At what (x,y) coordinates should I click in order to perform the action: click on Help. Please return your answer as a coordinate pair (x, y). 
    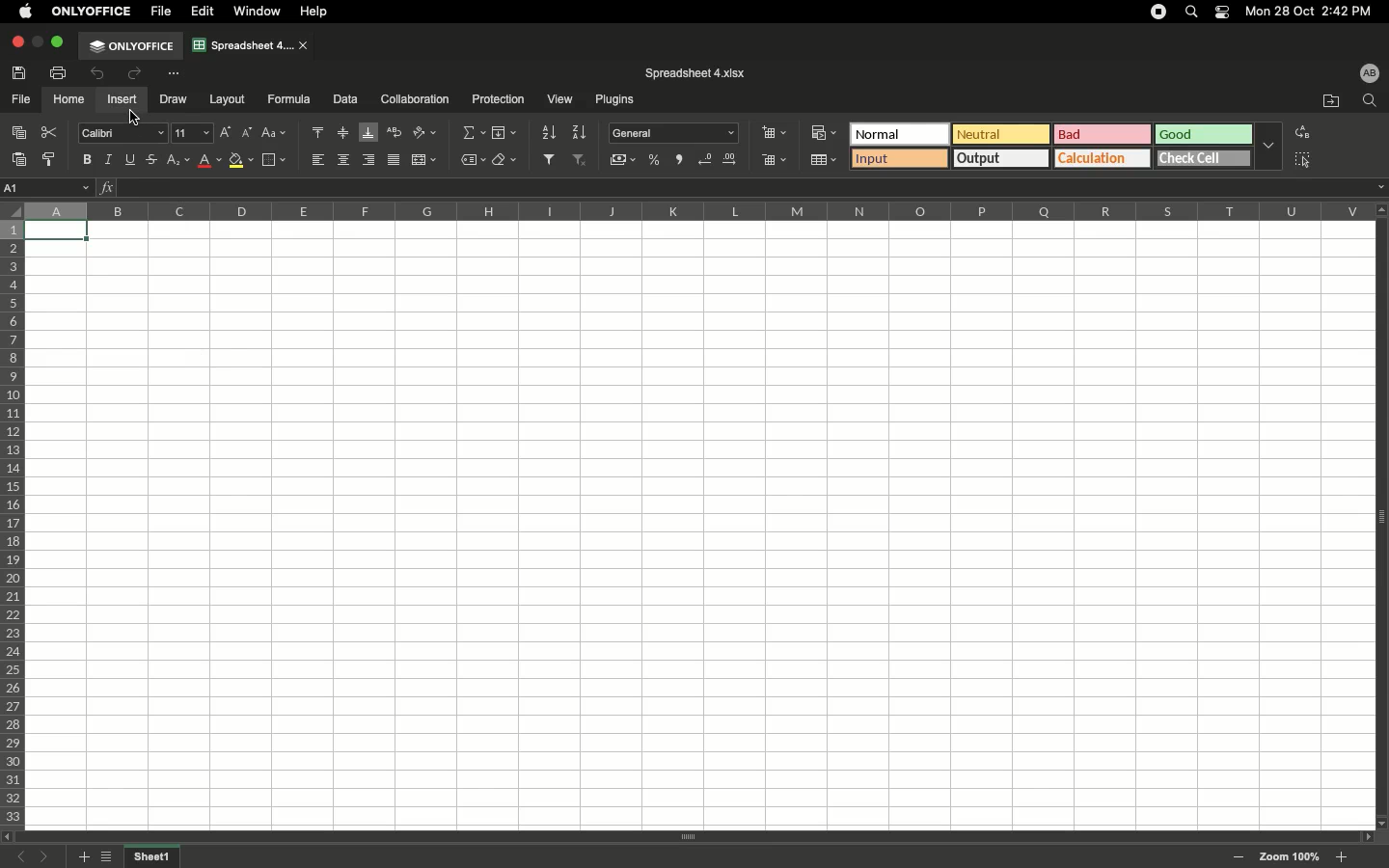
    Looking at the image, I should click on (317, 12).